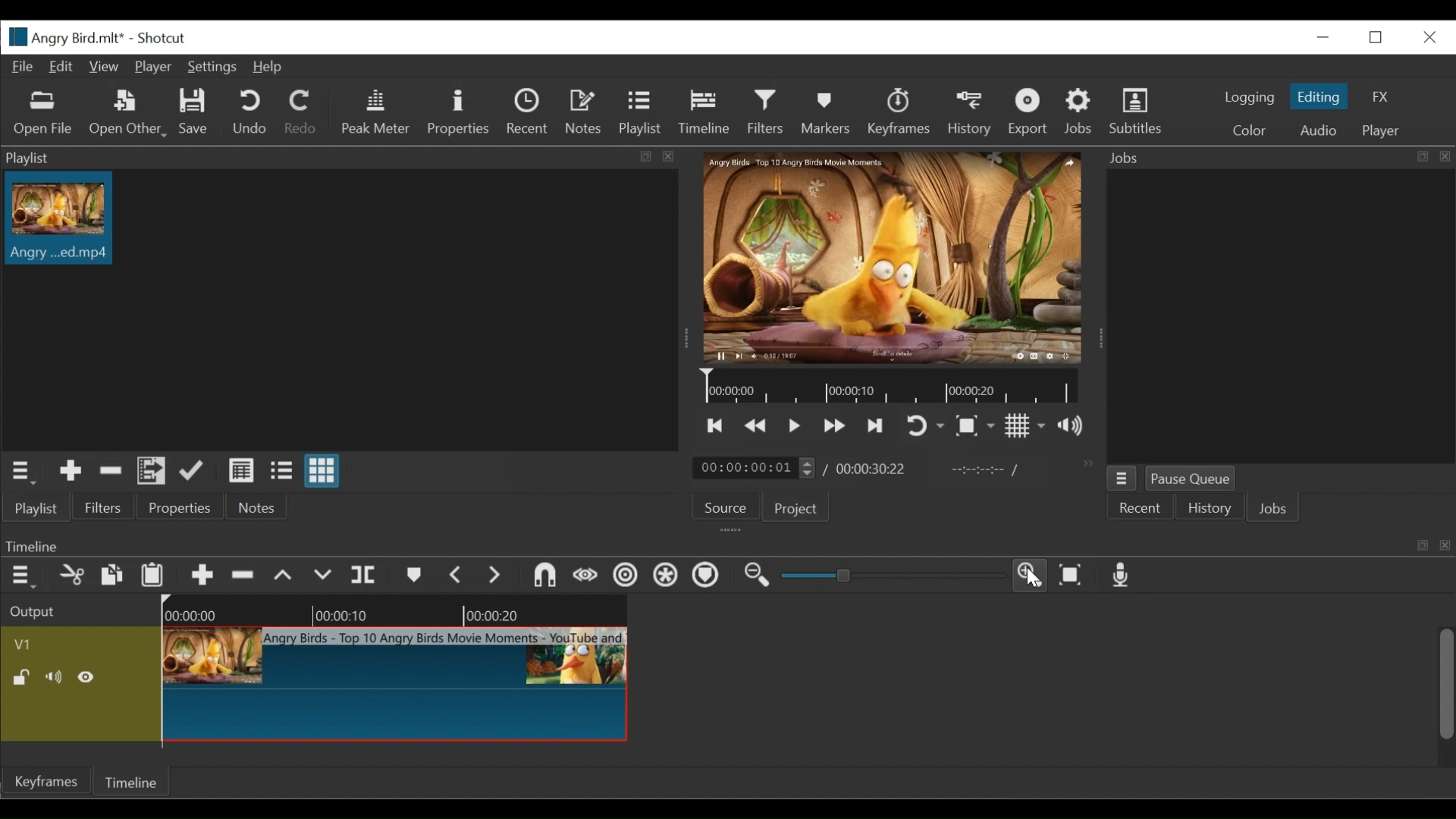 The width and height of the screenshot is (1456, 819). Describe the element at coordinates (366, 575) in the screenshot. I see `Split at playhead` at that location.